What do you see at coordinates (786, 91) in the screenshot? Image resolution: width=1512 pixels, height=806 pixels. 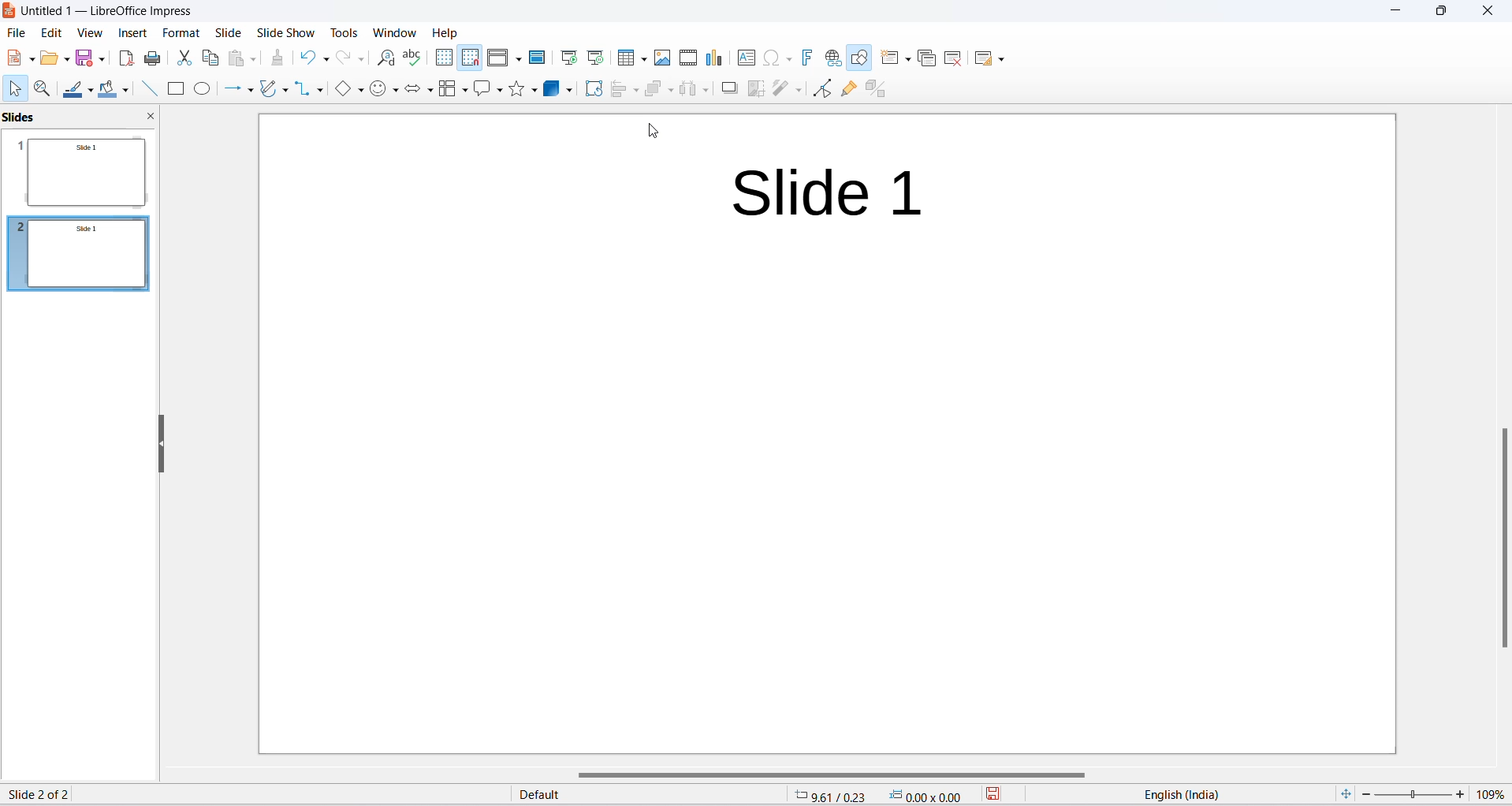 I see `filter` at bounding box center [786, 91].